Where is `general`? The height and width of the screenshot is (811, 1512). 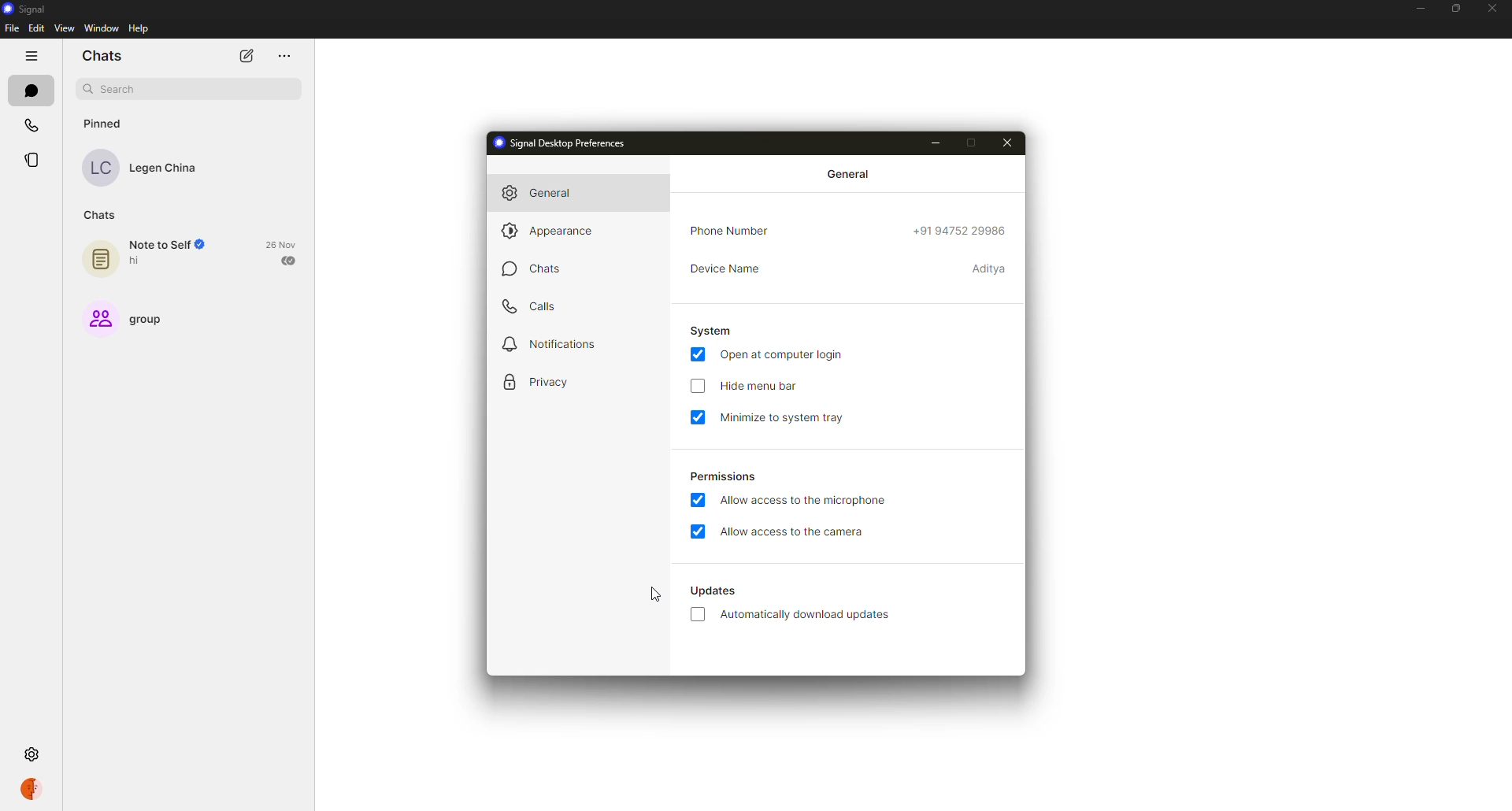
general is located at coordinates (547, 194).